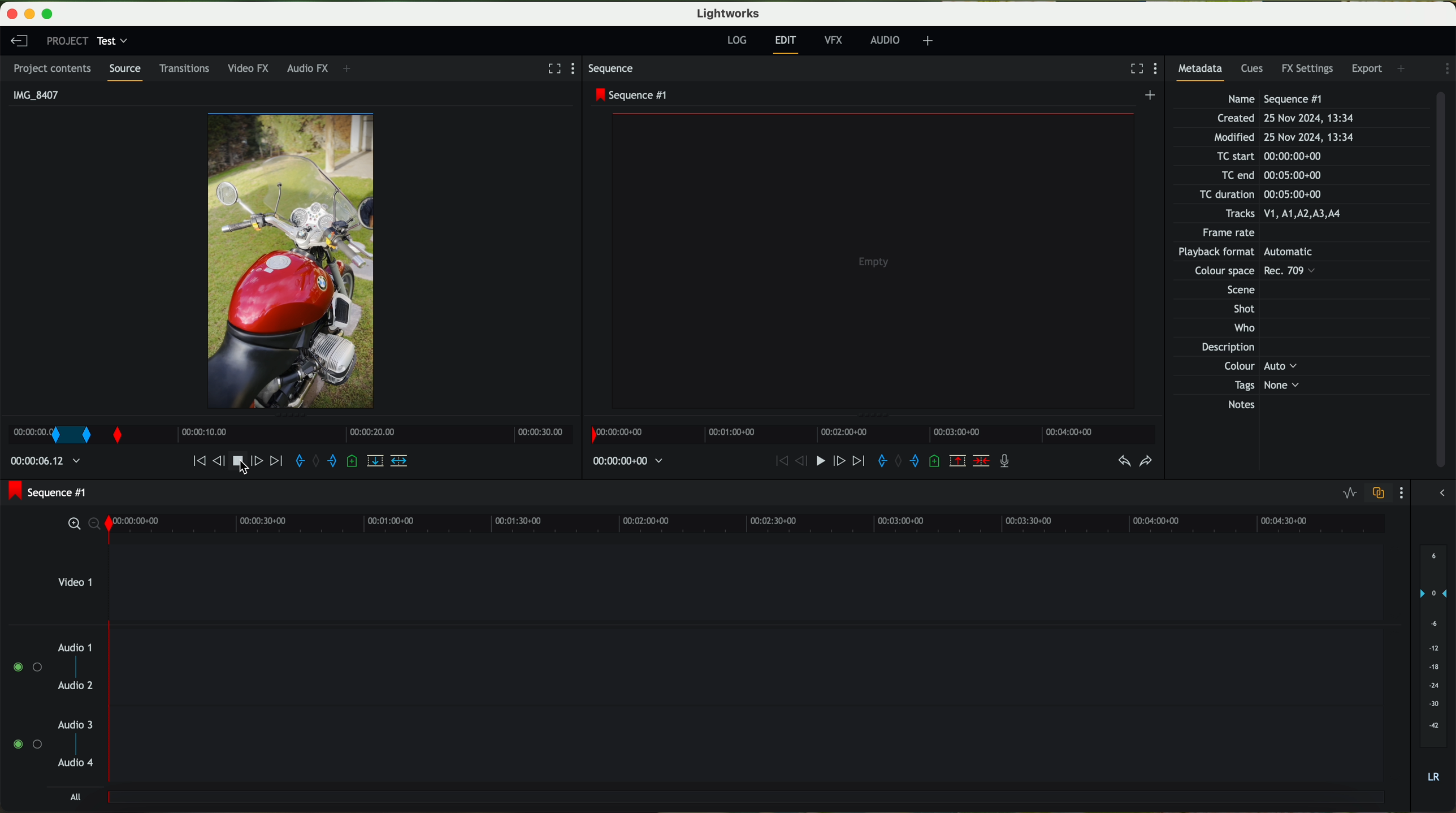 The image size is (1456, 813). What do you see at coordinates (1241, 348) in the screenshot?
I see `Description` at bounding box center [1241, 348].